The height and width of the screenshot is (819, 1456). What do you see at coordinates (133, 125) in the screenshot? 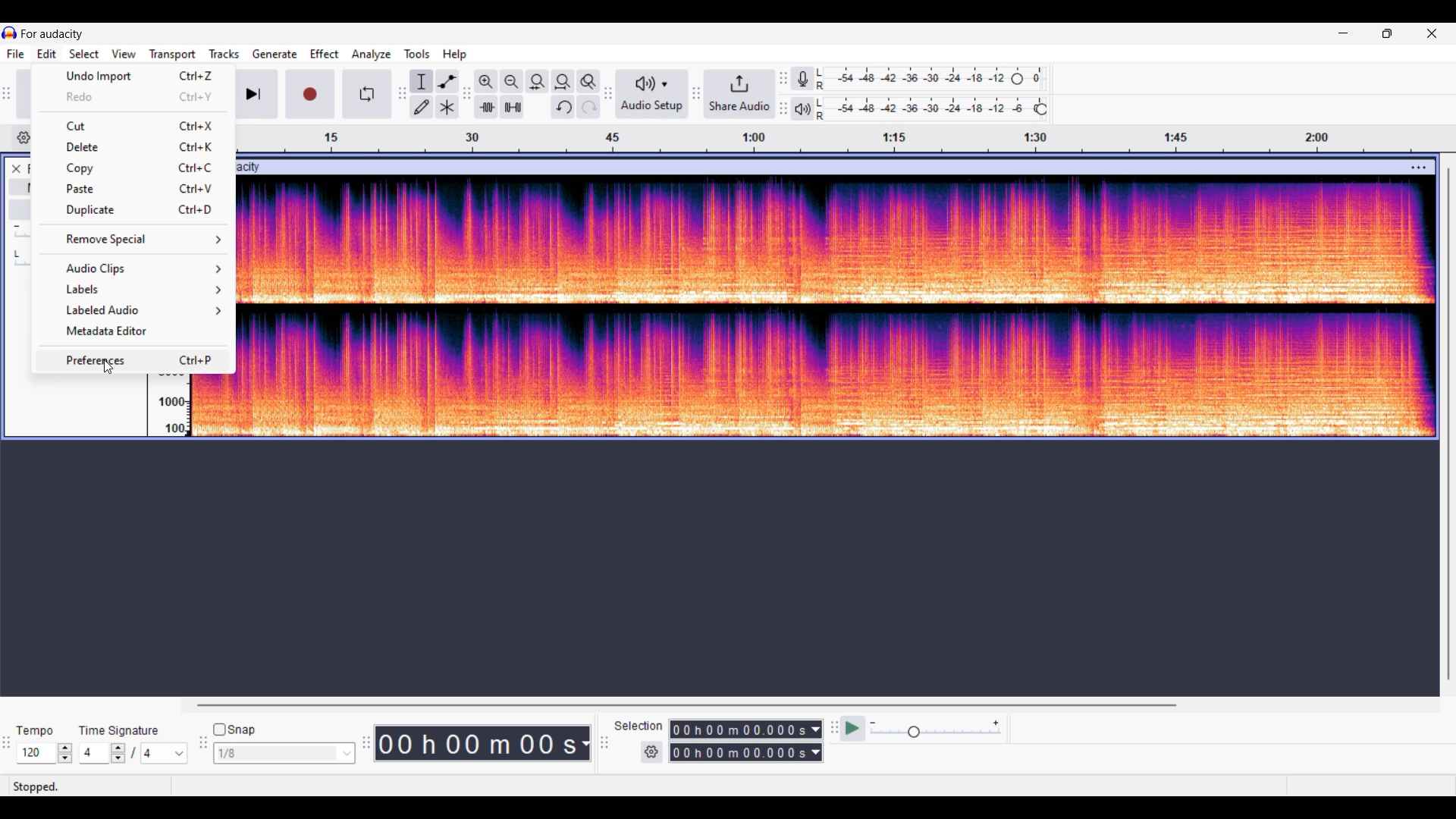
I see `Cut` at bounding box center [133, 125].